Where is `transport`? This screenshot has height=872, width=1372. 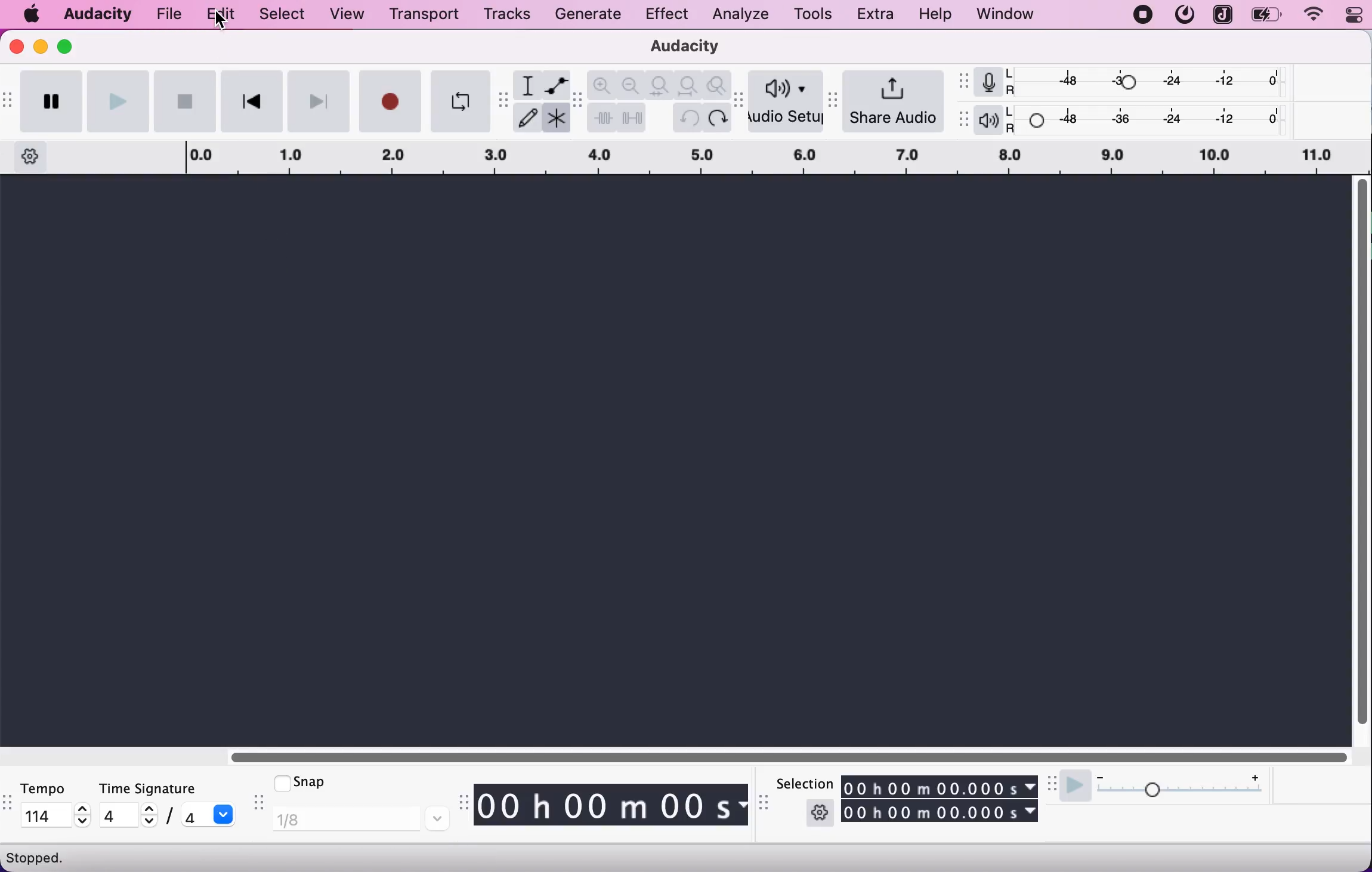
transport is located at coordinates (422, 14).